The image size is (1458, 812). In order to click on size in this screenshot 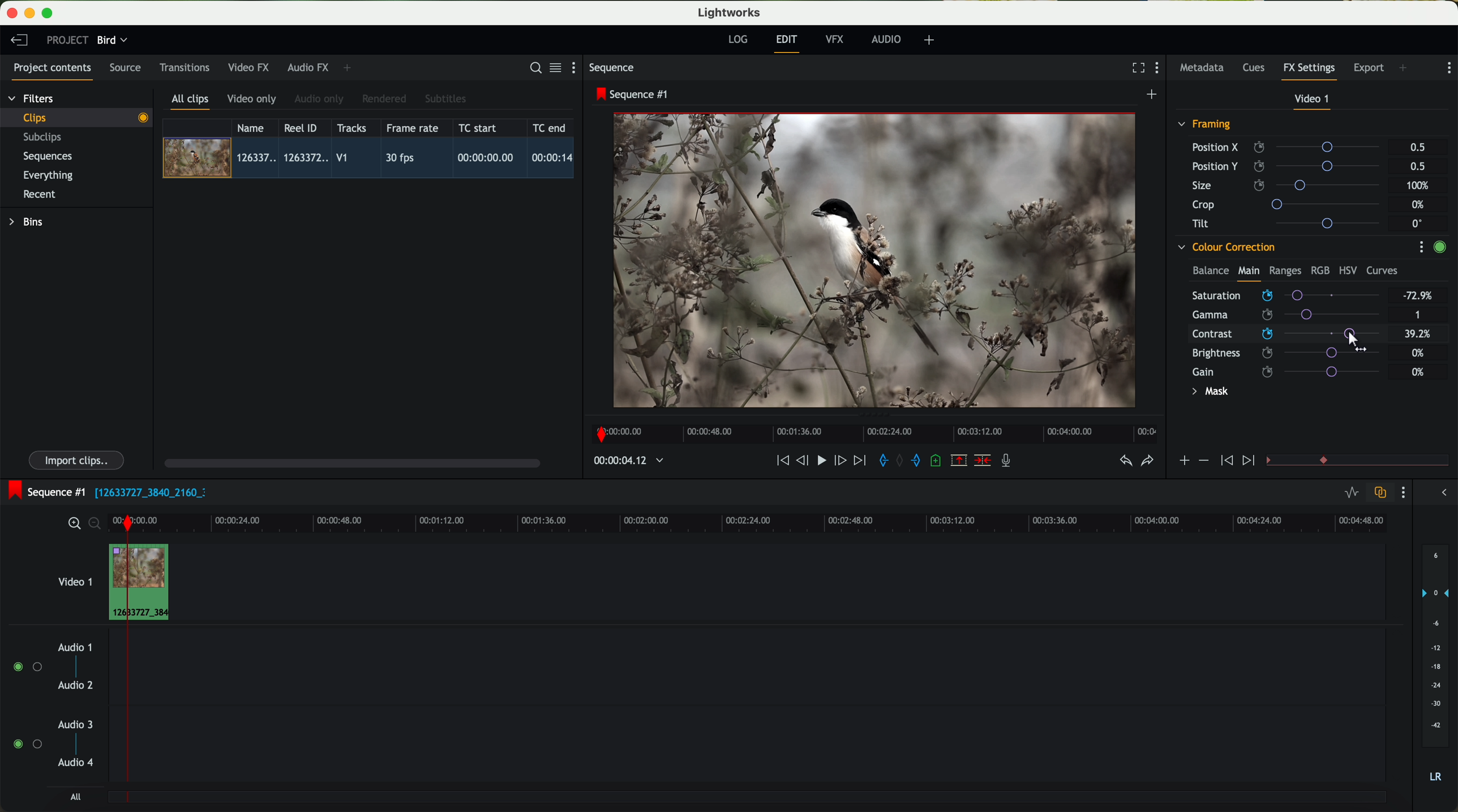, I will do `click(1289, 186)`.